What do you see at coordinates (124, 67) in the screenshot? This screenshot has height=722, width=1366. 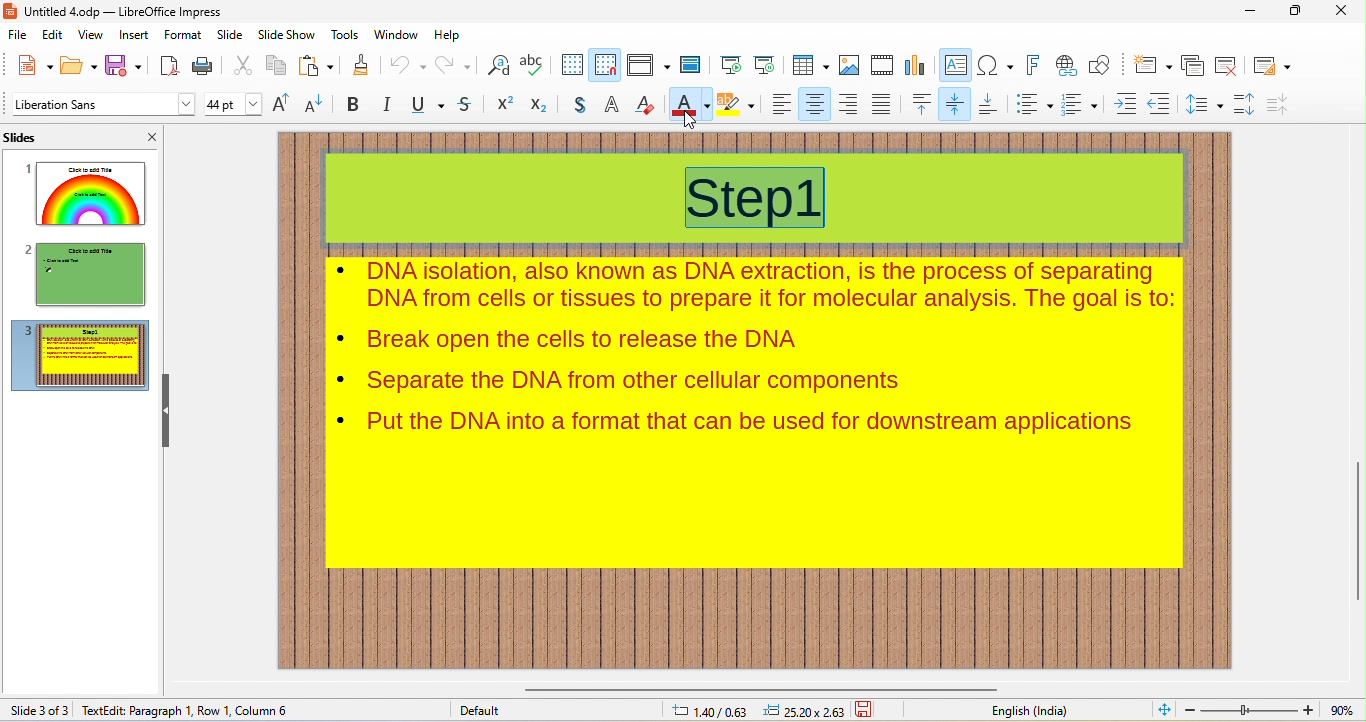 I see `save` at bounding box center [124, 67].